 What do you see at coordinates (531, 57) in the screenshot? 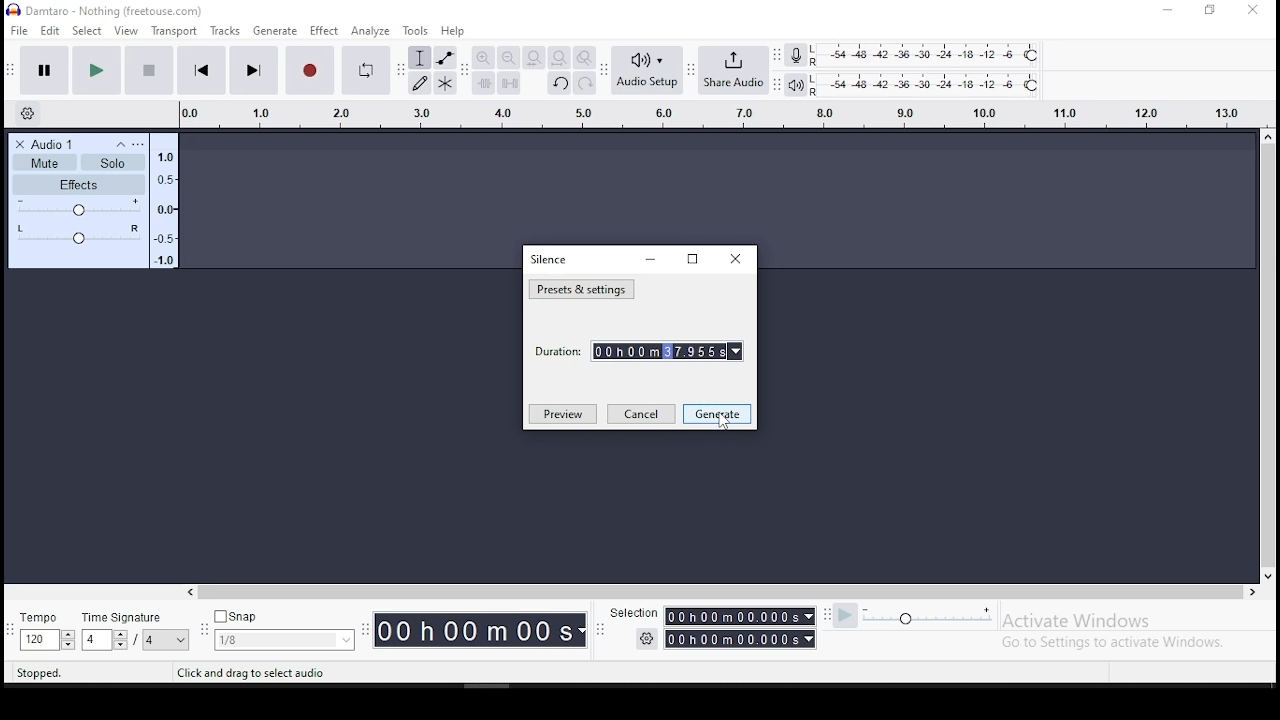
I see `fit selection to width` at bounding box center [531, 57].